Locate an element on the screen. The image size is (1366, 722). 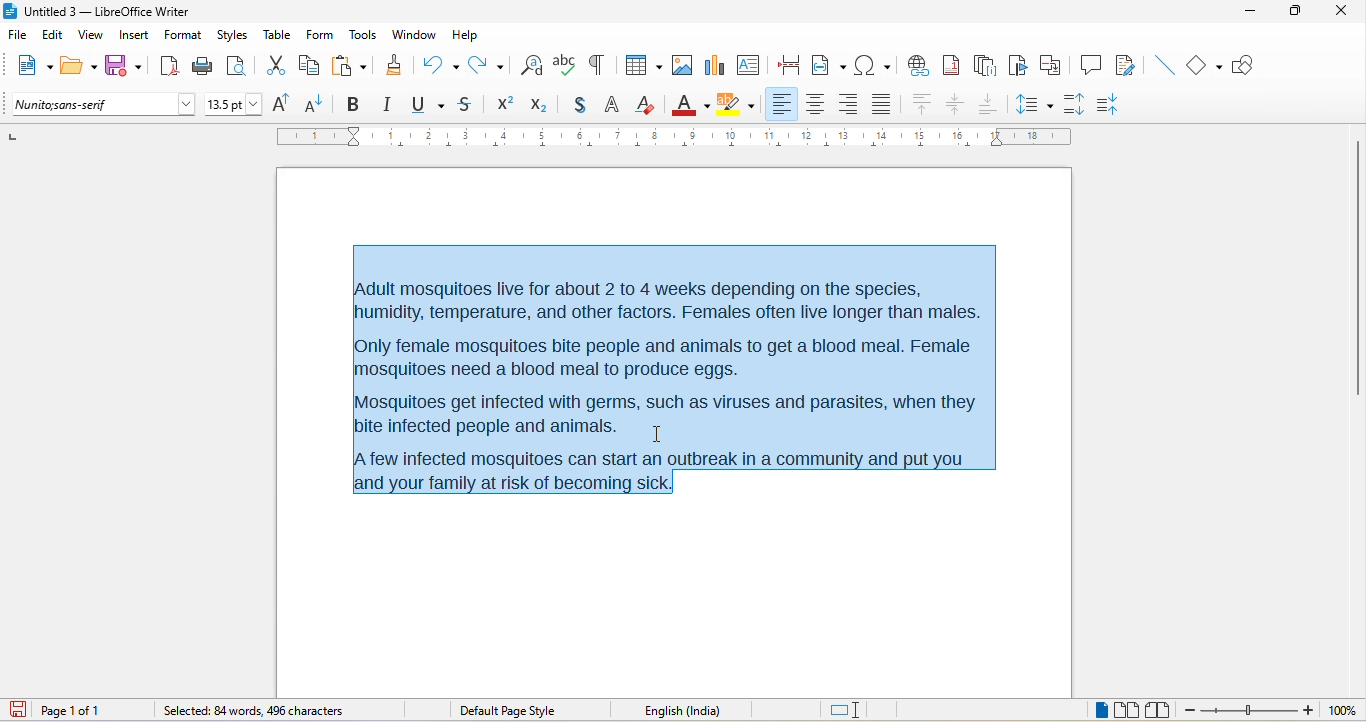
file is located at coordinates (21, 36).